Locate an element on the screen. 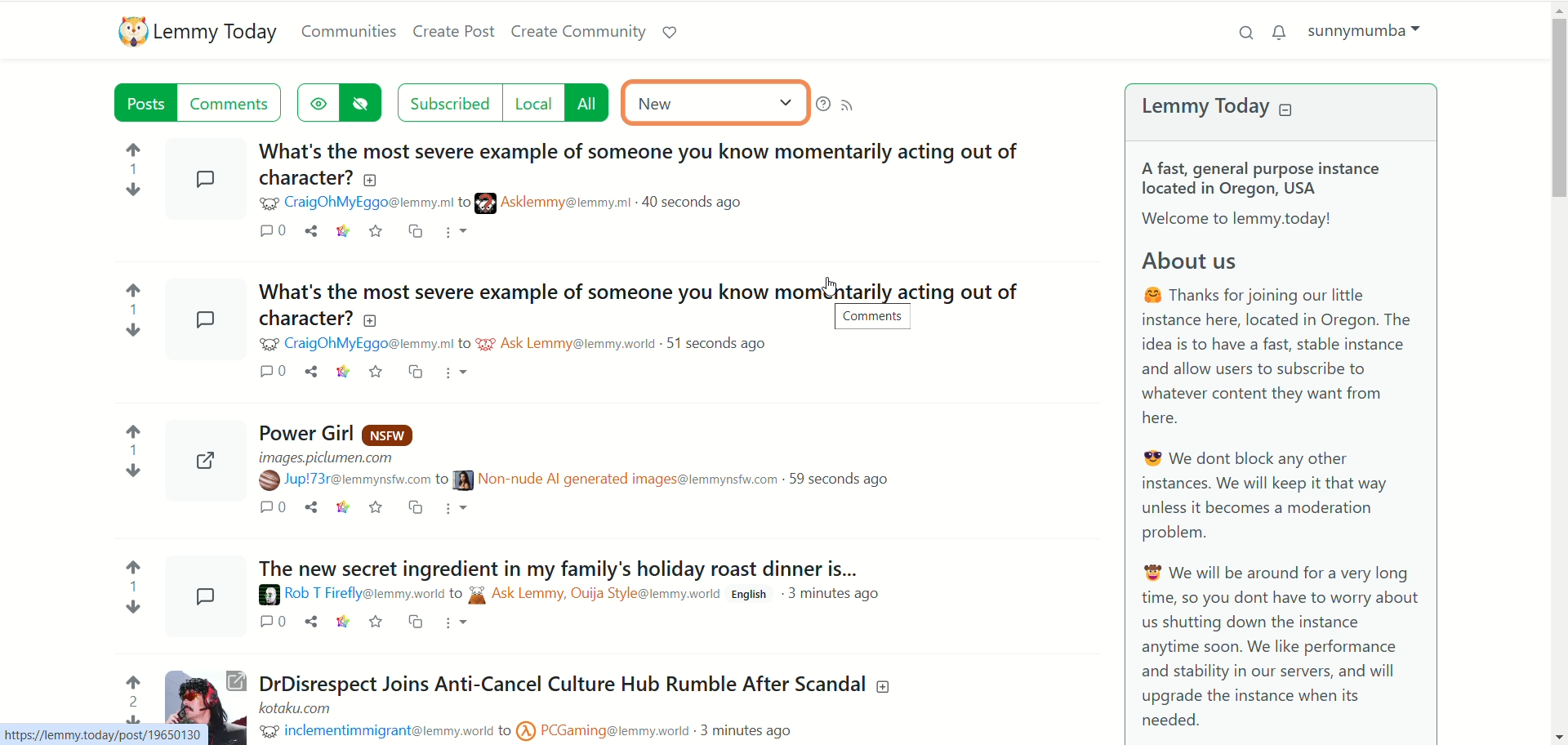  kotaku.com link is located at coordinates (301, 706).